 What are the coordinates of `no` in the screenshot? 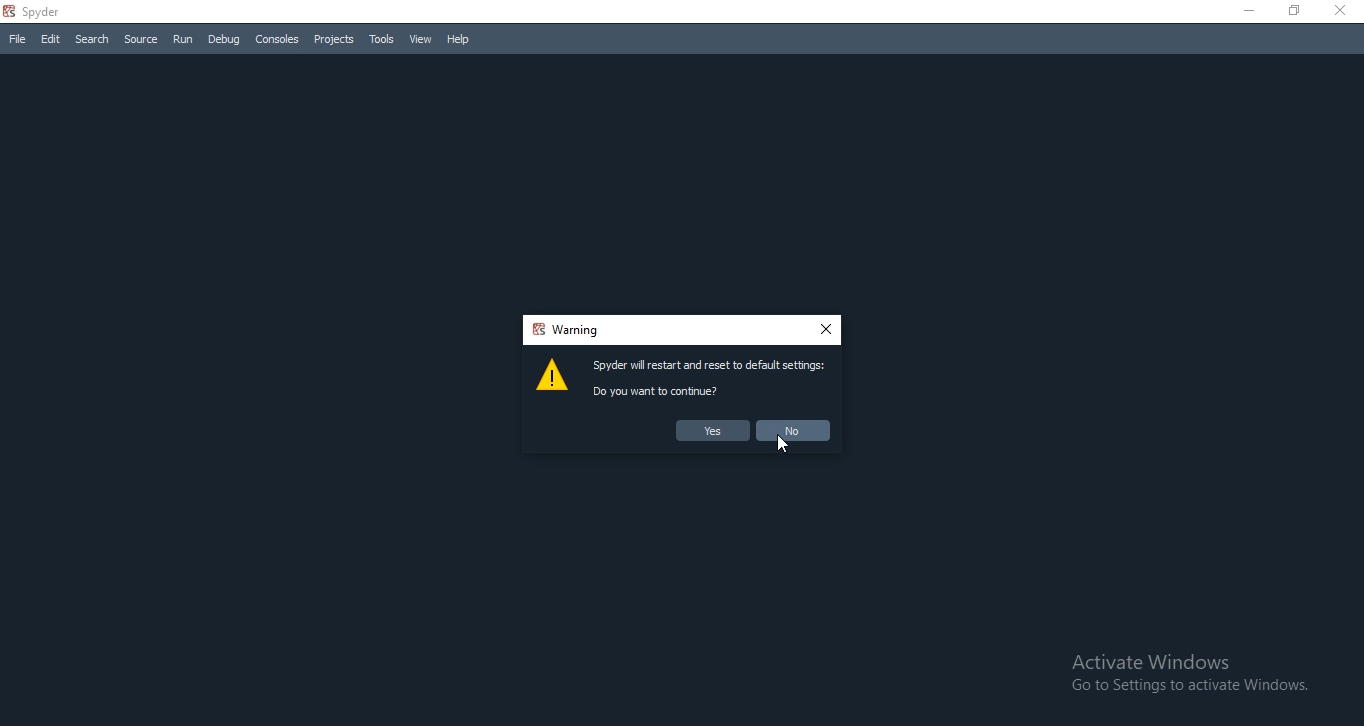 It's located at (792, 431).